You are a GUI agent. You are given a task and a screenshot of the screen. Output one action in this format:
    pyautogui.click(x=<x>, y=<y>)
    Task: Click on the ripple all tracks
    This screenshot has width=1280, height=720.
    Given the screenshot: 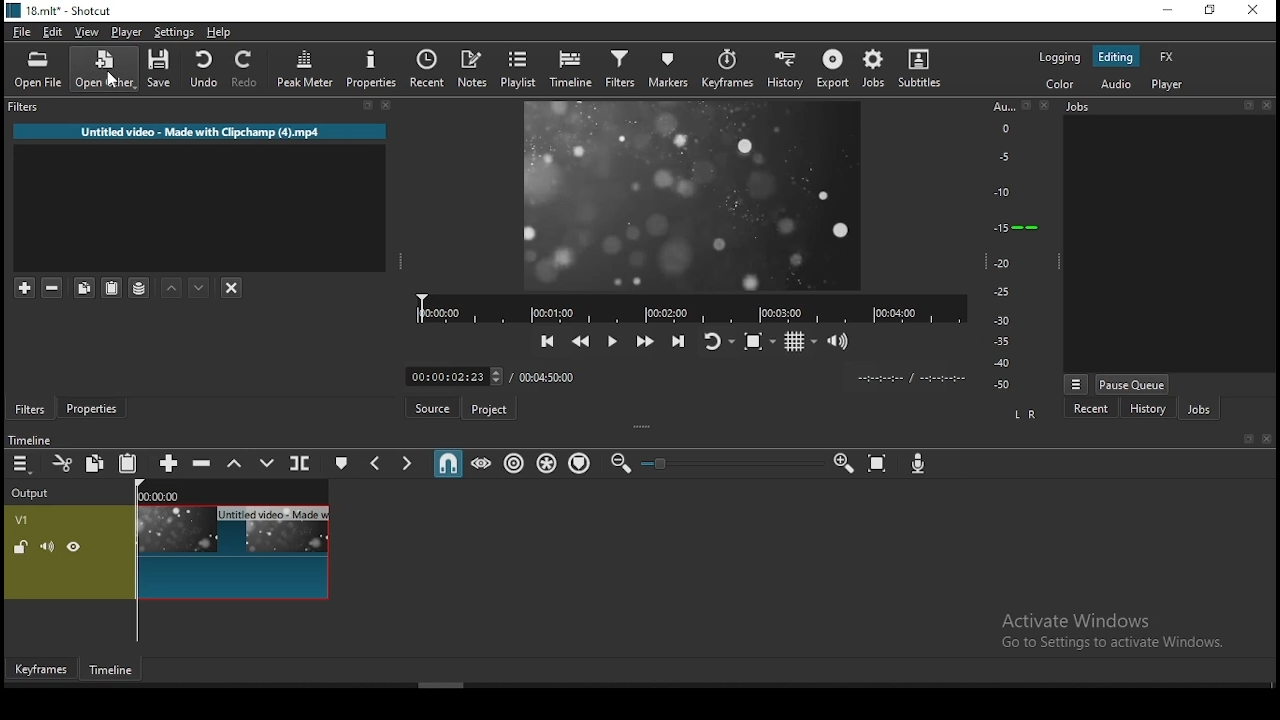 What is the action you would take?
    pyautogui.click(x=547, y=463)
    